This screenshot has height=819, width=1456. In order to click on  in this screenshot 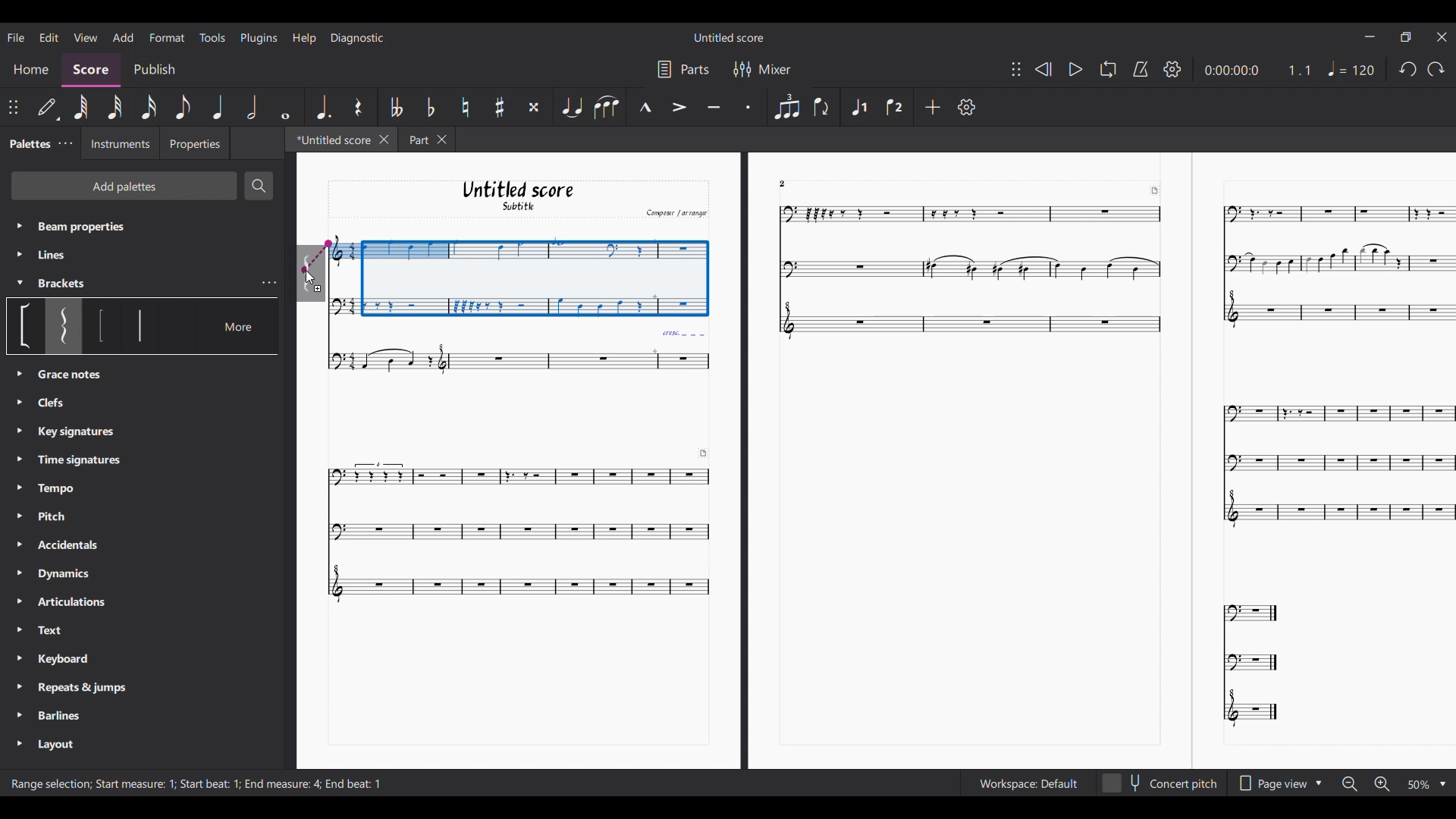, I will do `click(18, 516)`.